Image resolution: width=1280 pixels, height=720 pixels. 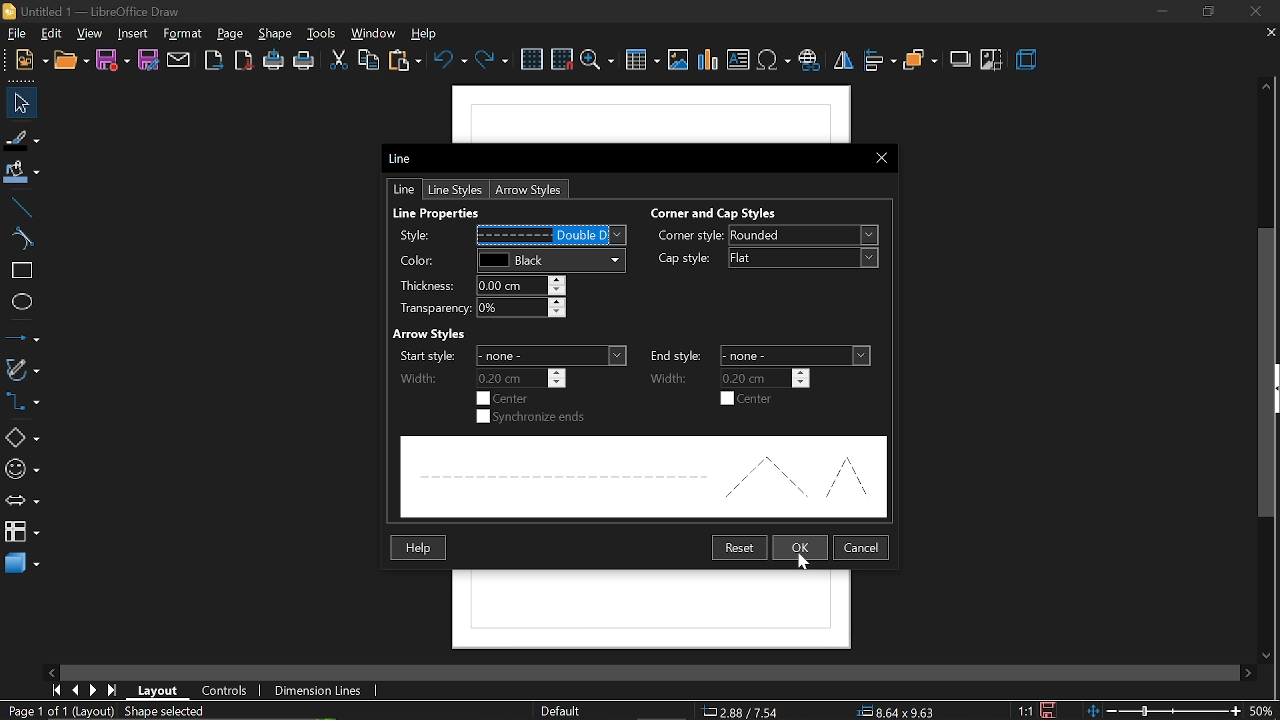 What do you see at coordinates (679, 61) in the screenshot?
I see `insert image` at bounding box center [679, 61].